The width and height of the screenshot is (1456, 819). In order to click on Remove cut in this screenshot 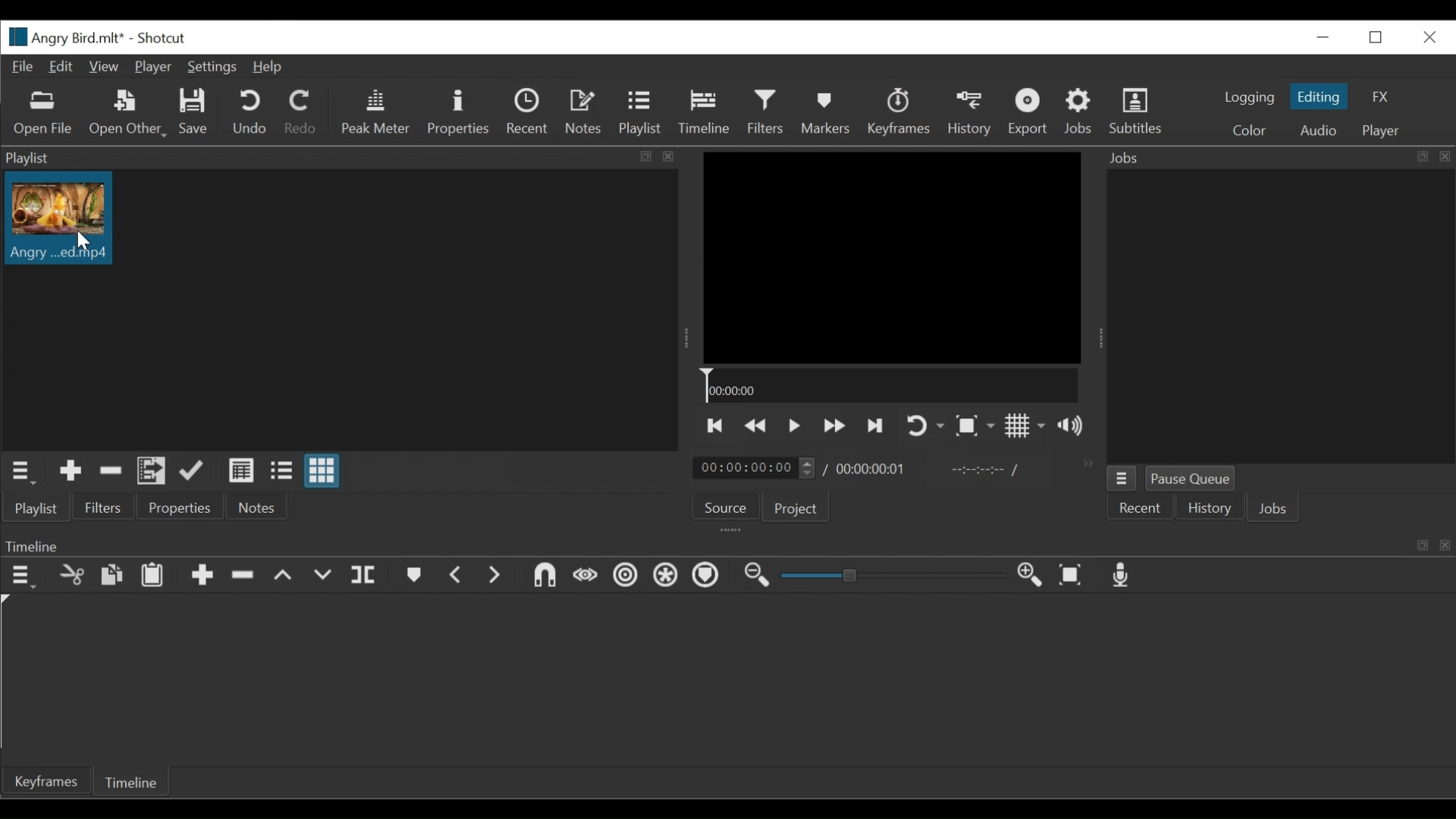, I will do `click(108, 471)`.